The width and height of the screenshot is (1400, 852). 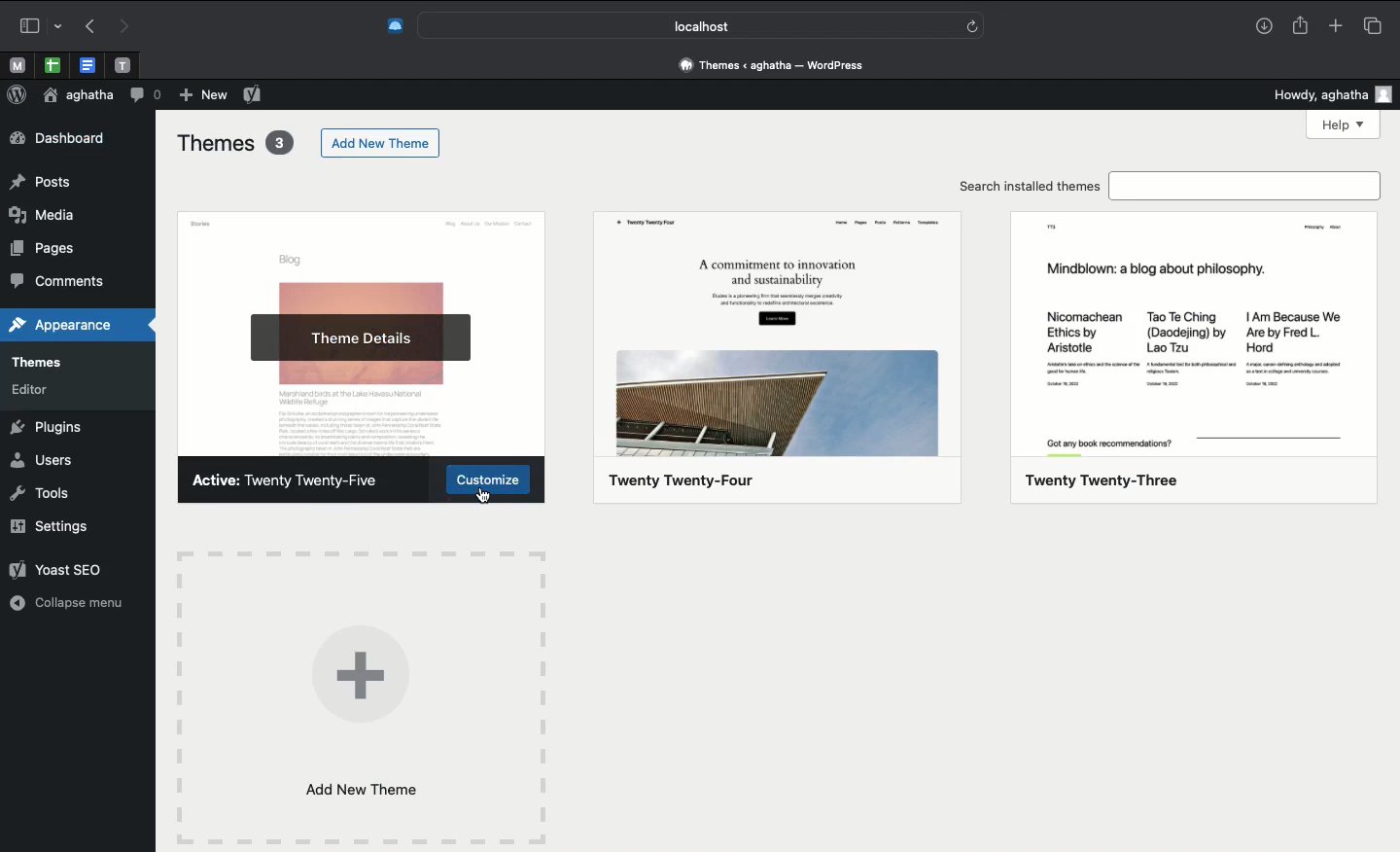 I want to click on Extensions, so click(x=393, y=27).